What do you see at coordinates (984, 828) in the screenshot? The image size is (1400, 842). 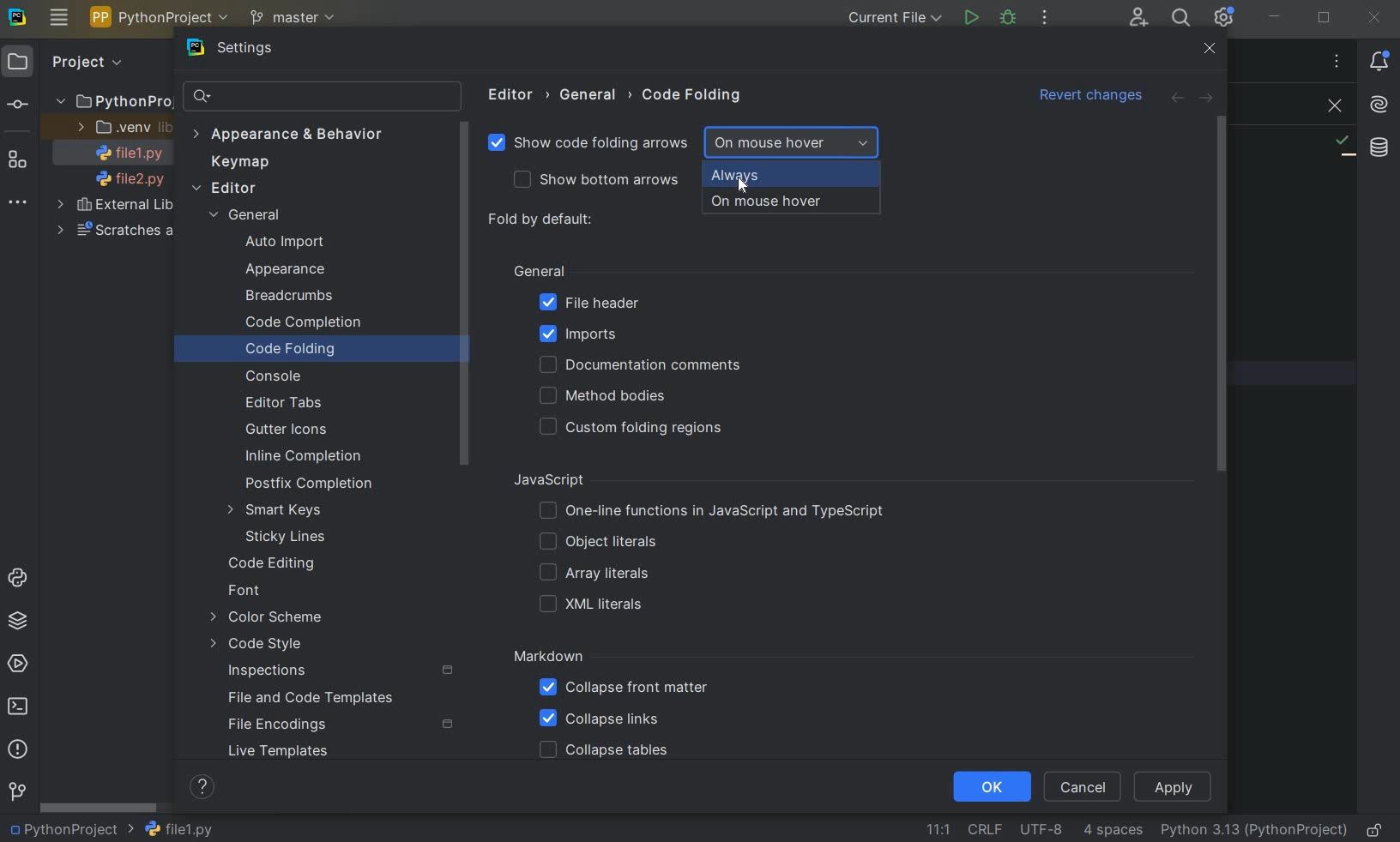 I see `LINE SEPARATOR` at bounding box center [984, 828].